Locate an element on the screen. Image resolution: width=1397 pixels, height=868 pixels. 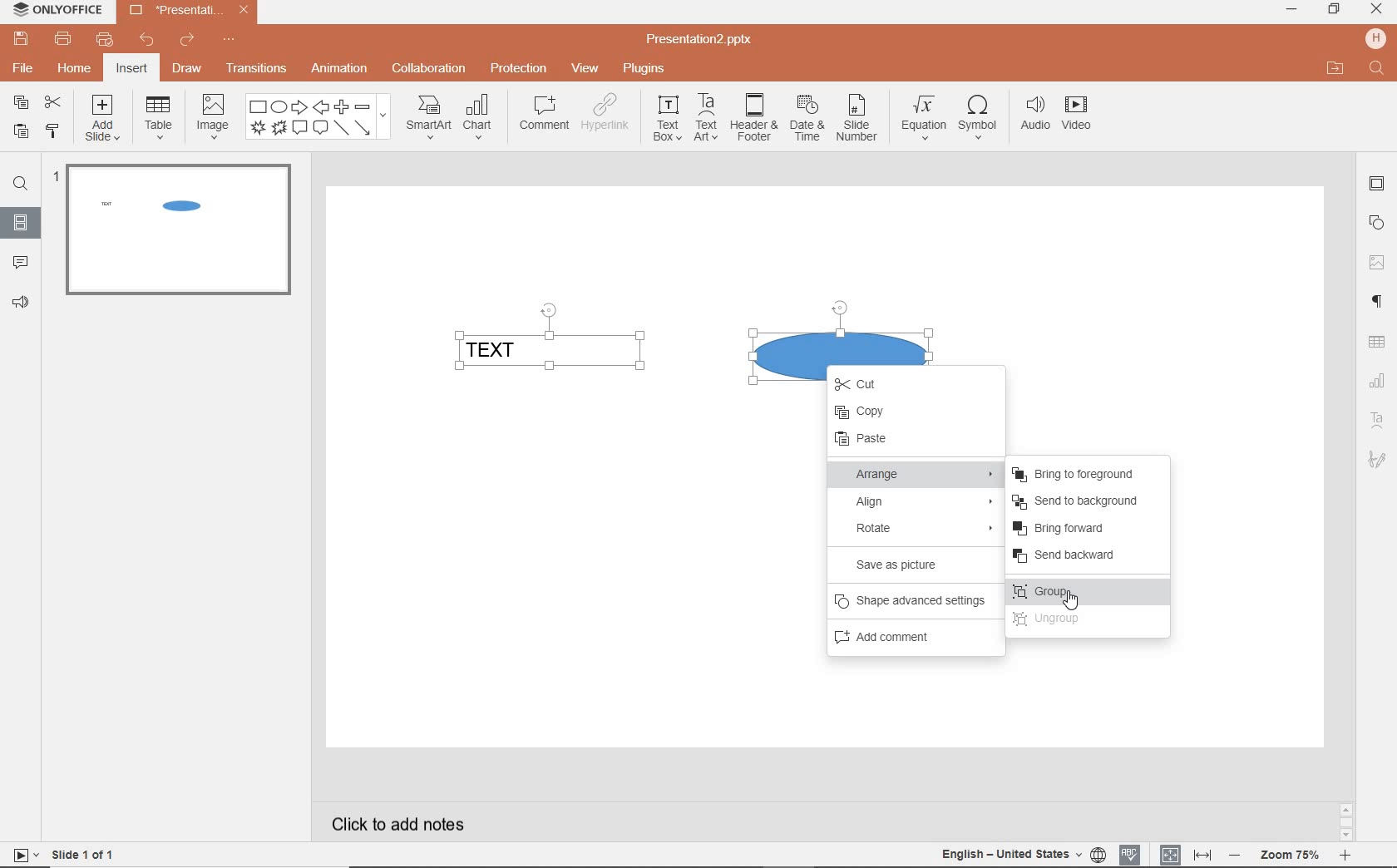
protection is located at coordinates (518, 68).